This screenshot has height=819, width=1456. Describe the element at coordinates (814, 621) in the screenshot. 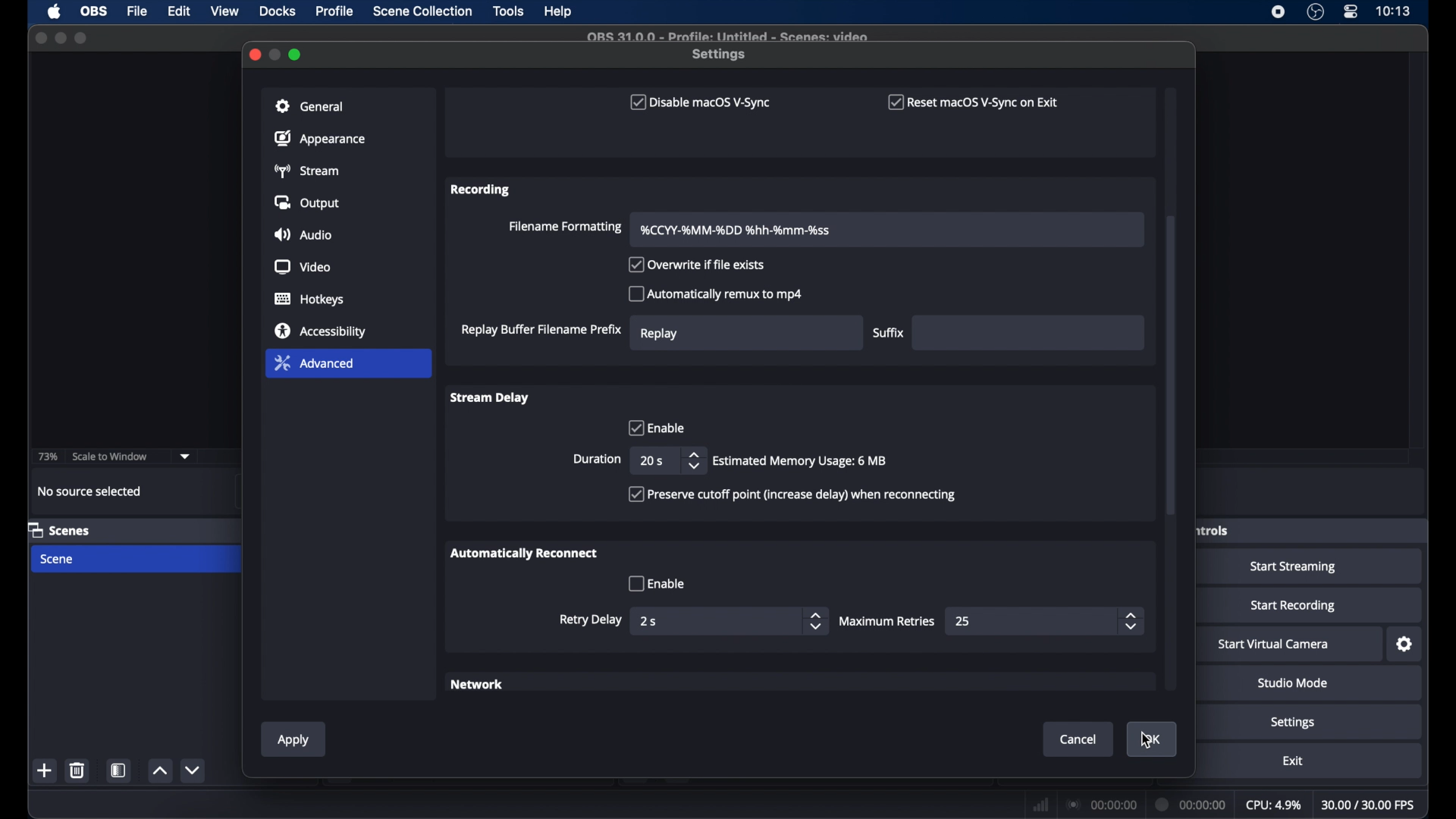

I see `stepper buttons` at that location.